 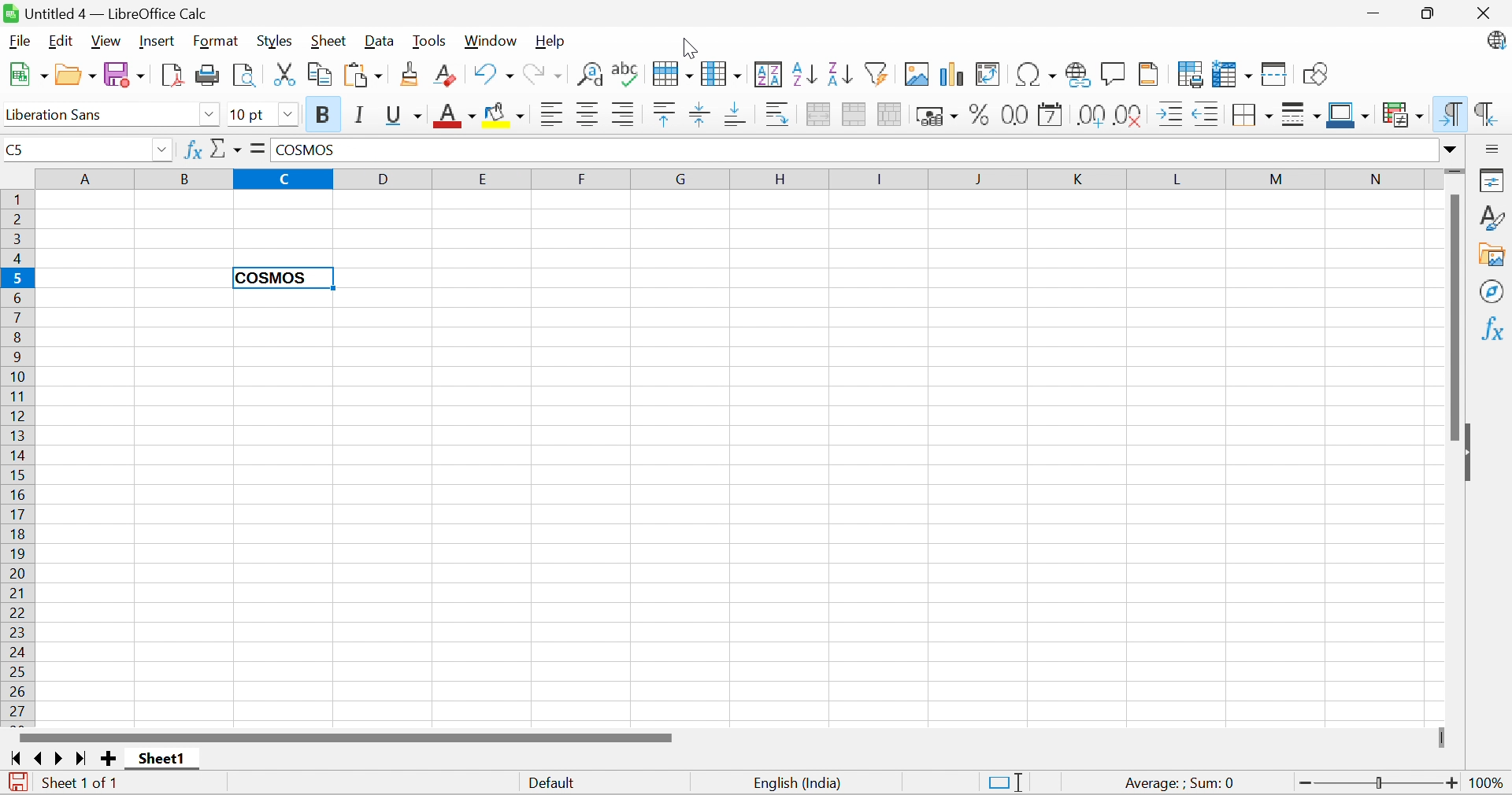 What do you see at coordinates (174, 75) in the screenshot?
I see `Export as PDF` at bounding box center [174, 75].